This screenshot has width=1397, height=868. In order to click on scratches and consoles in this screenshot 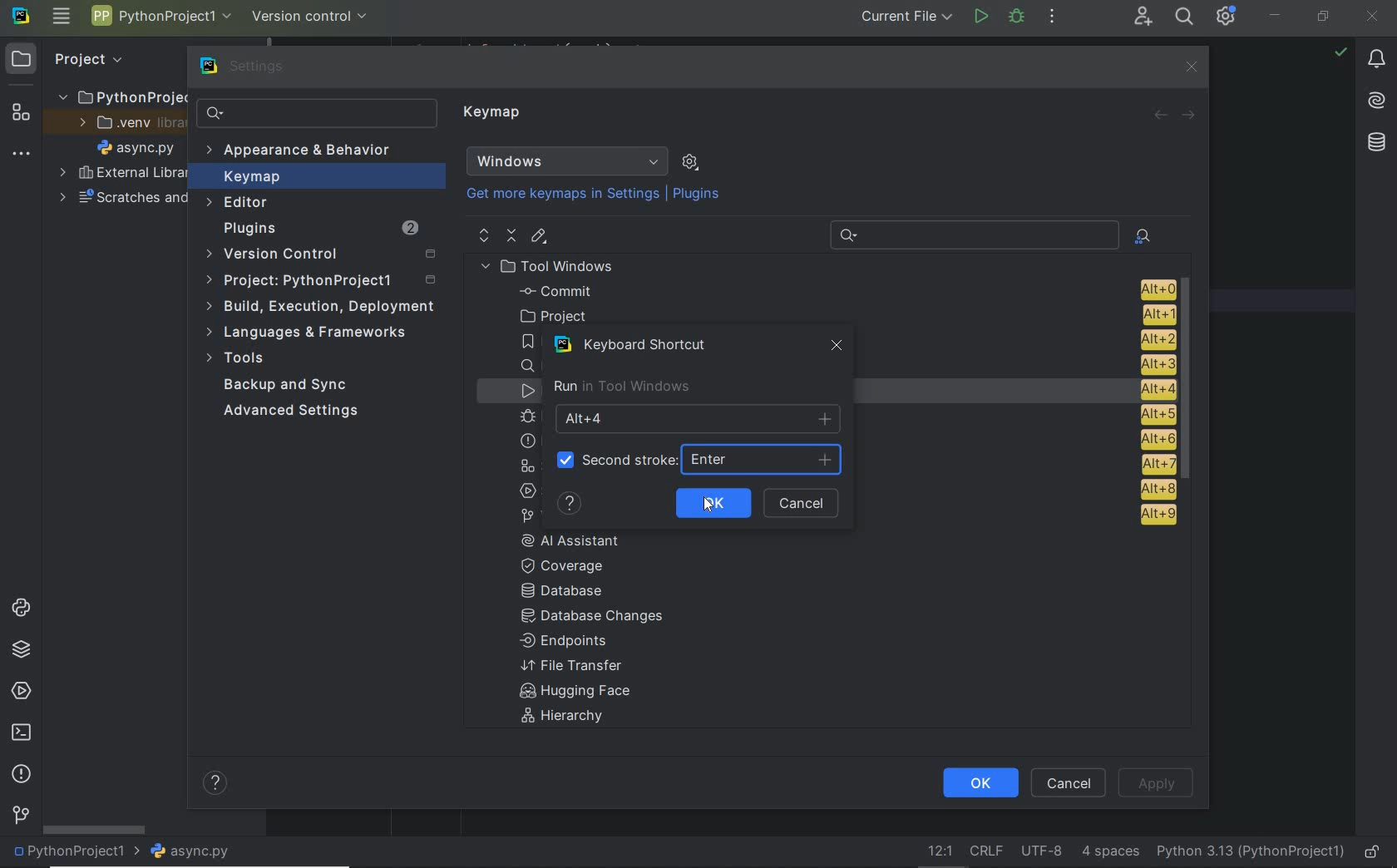, I will do `click(122, 199)`.